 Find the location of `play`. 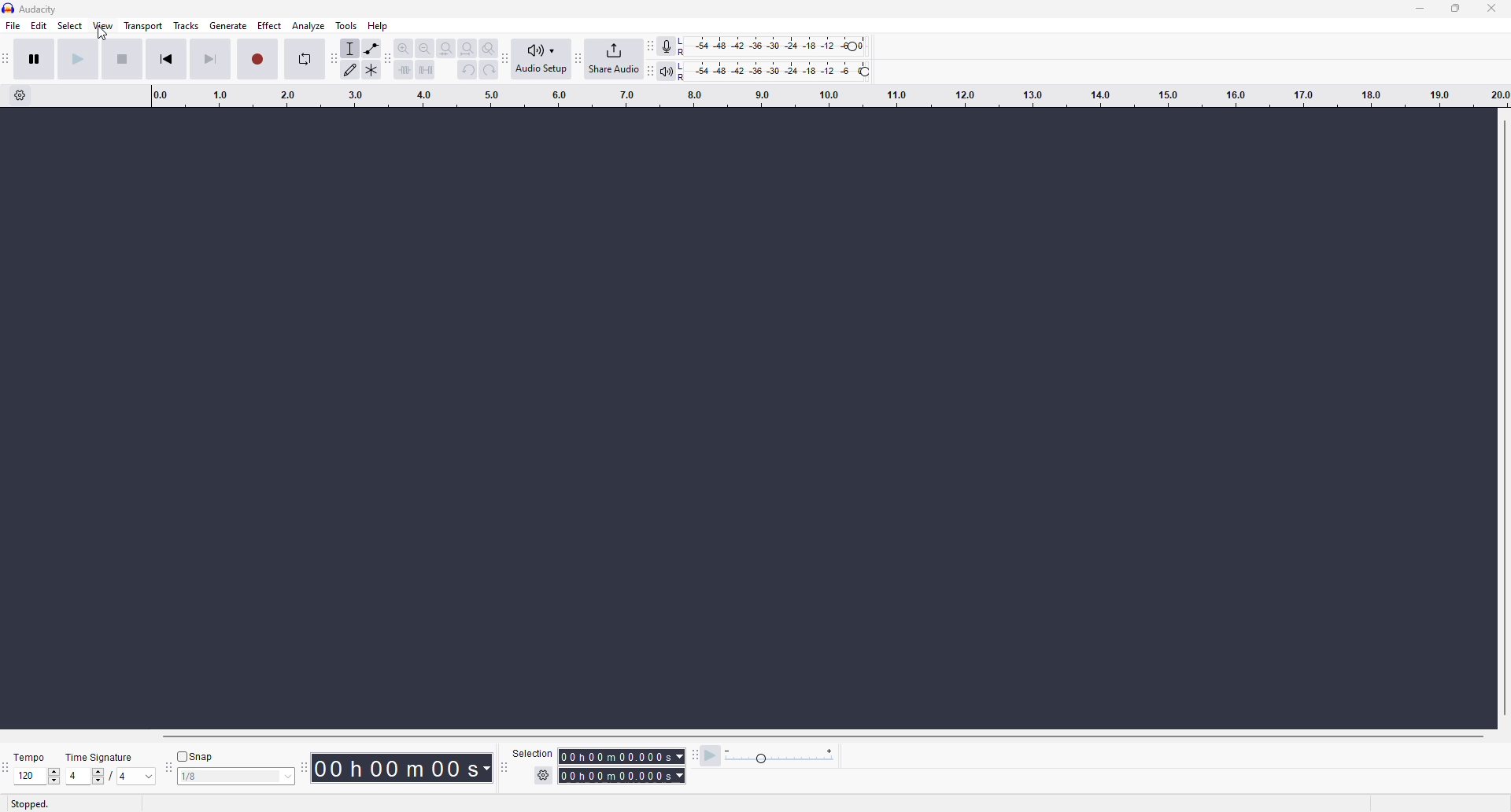

play is located at coordinates (77, 59).